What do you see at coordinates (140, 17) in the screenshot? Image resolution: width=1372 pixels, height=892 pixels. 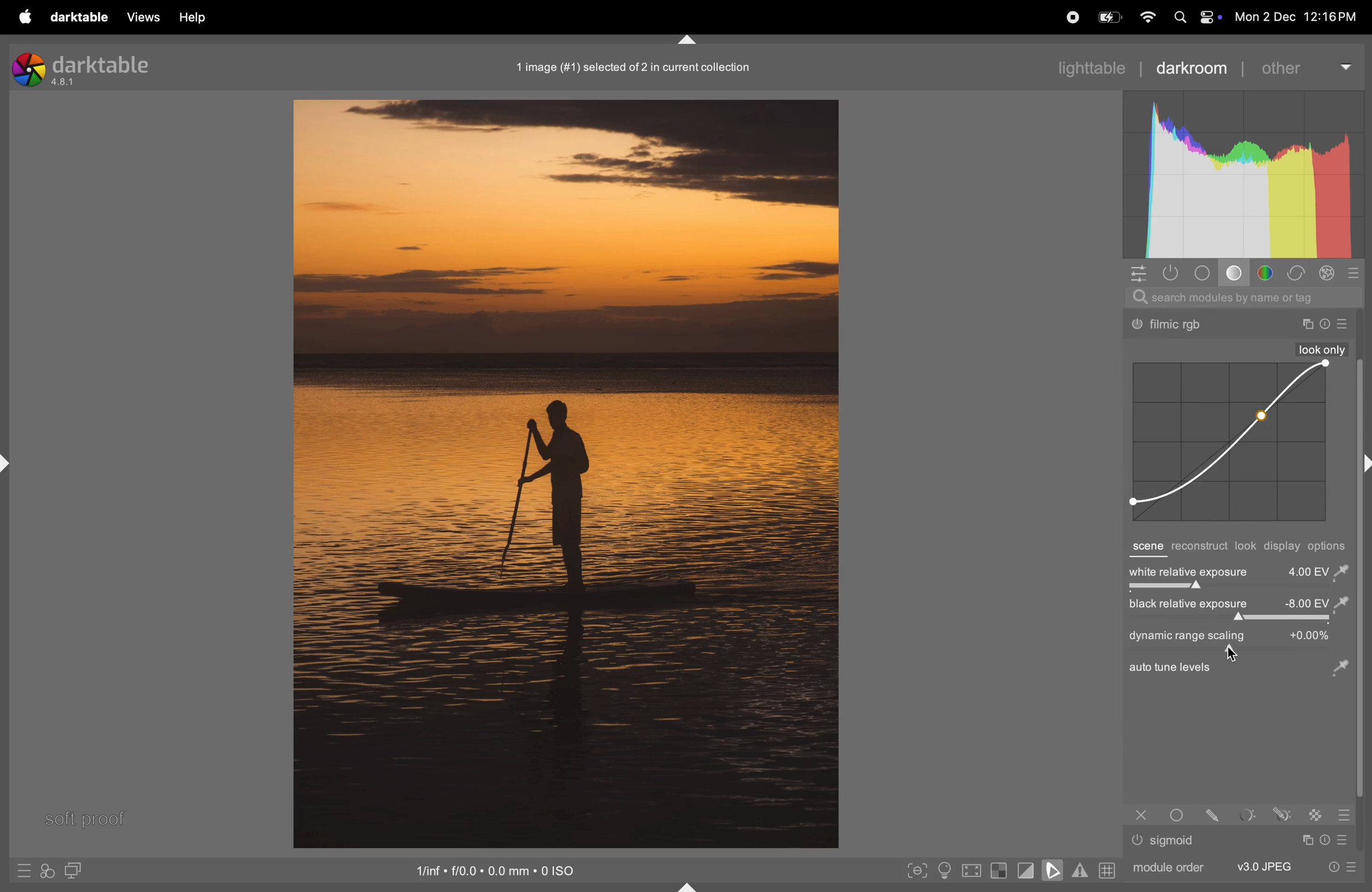 I see `views` at bounding box center [140, 17].